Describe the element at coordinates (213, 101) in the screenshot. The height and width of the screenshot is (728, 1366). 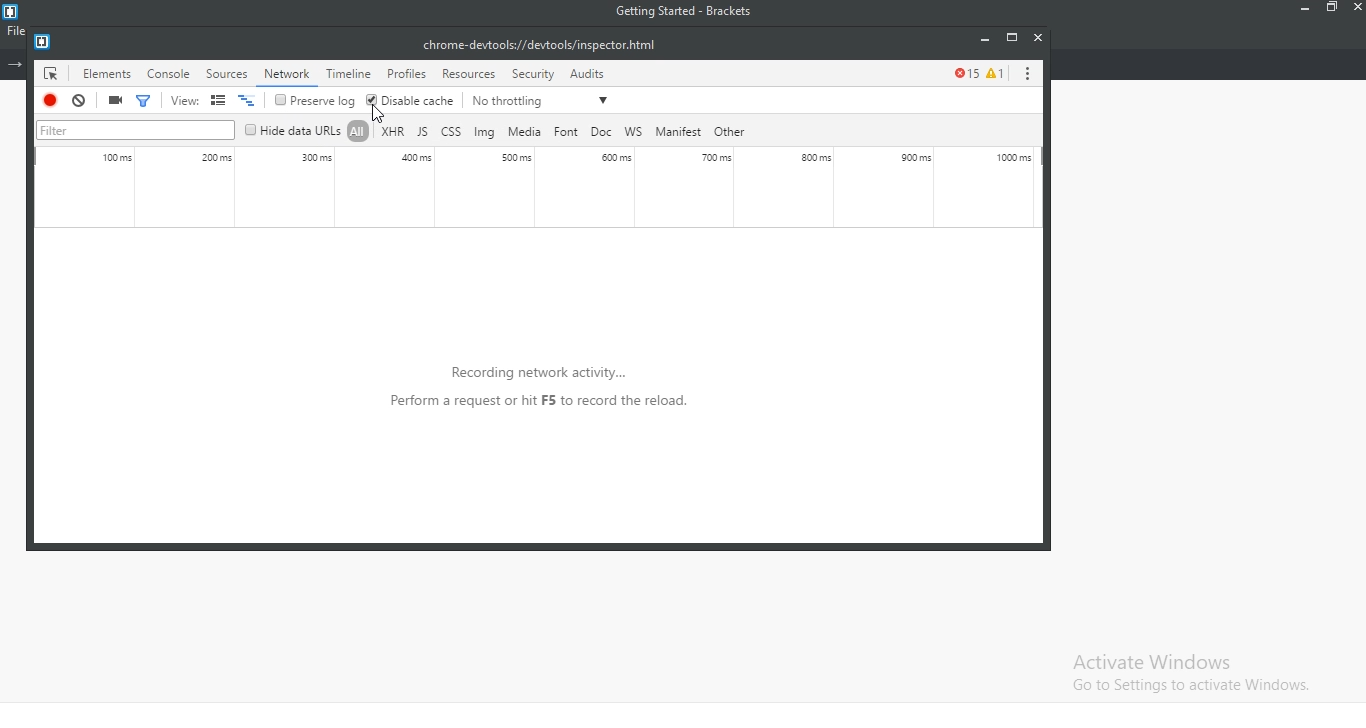
I see `views` at that location.